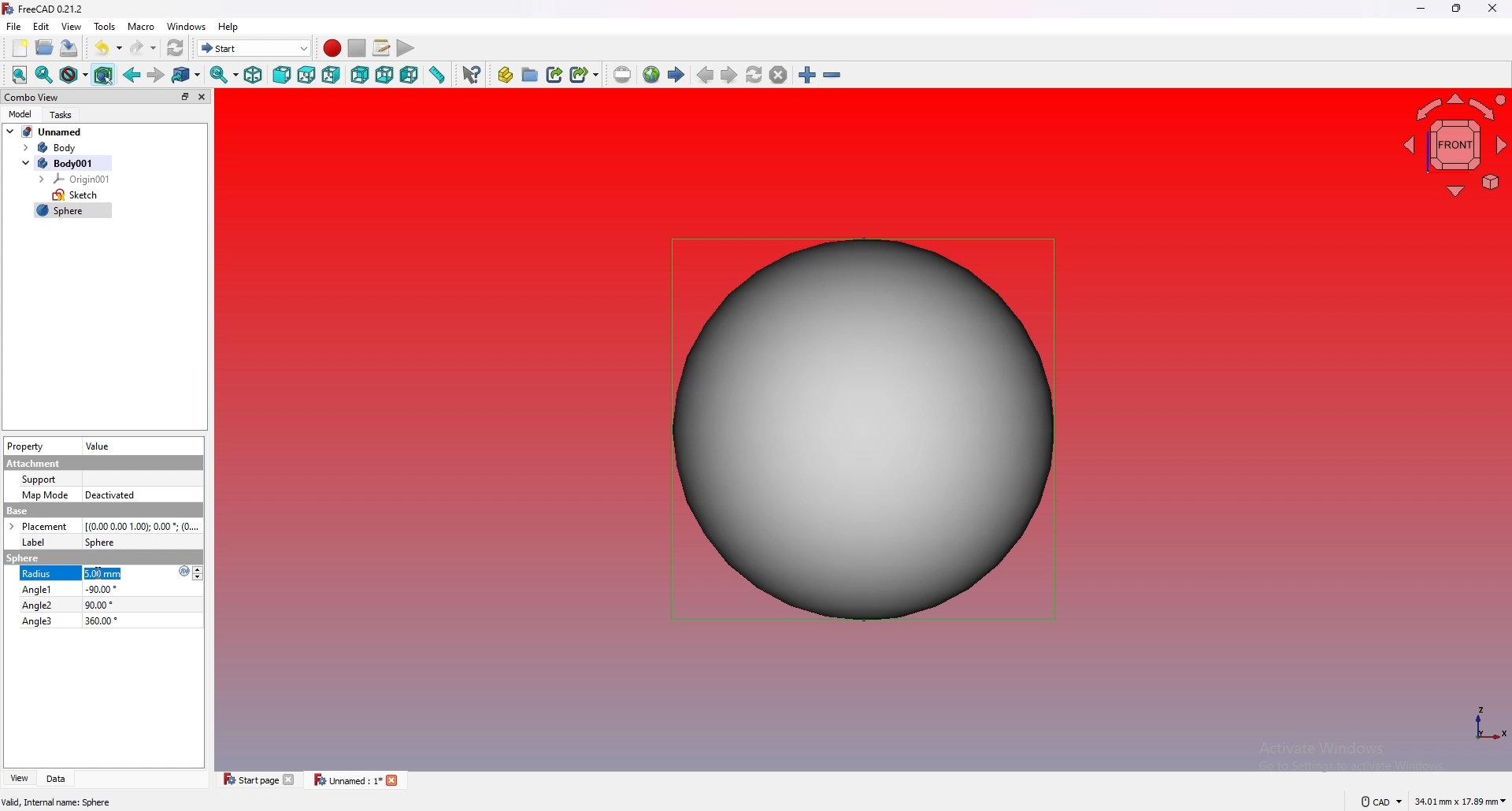 The image size is (1512, 811). I want to click on top, so click(306, 75).